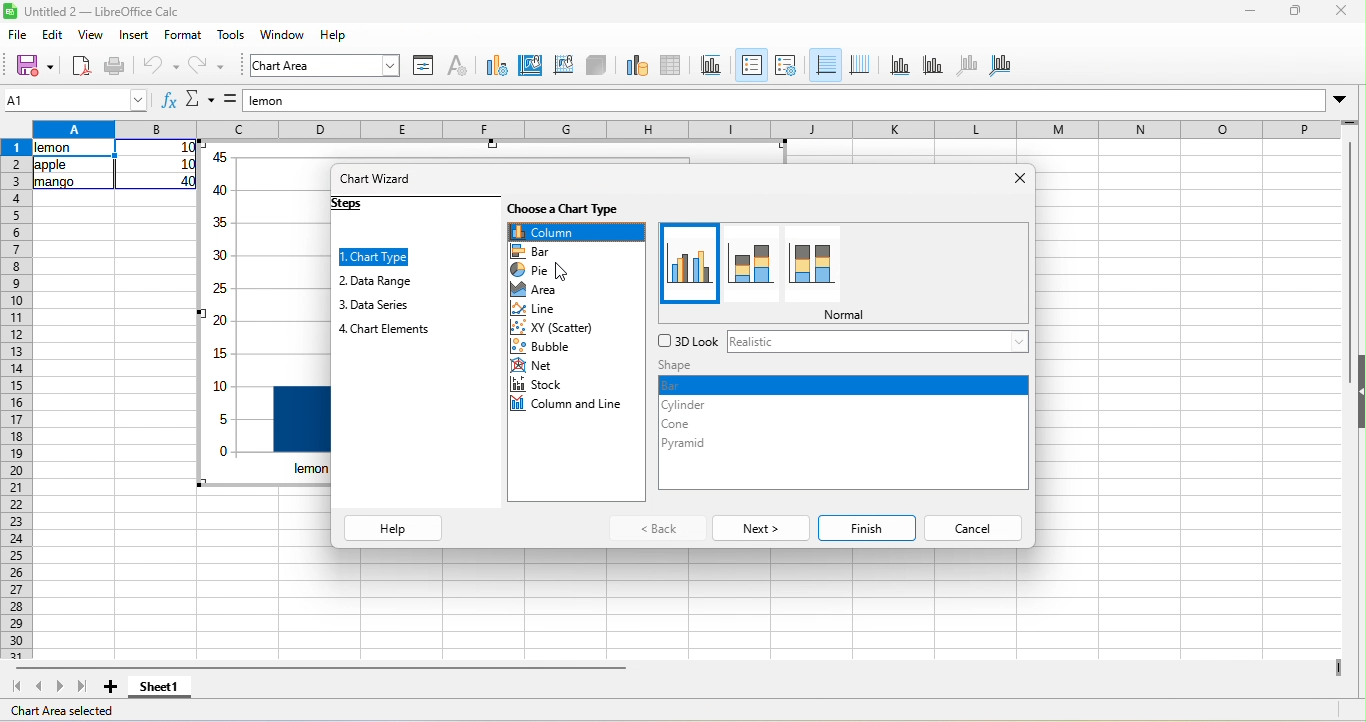  I want to click on all axes, so click(1003, 64).